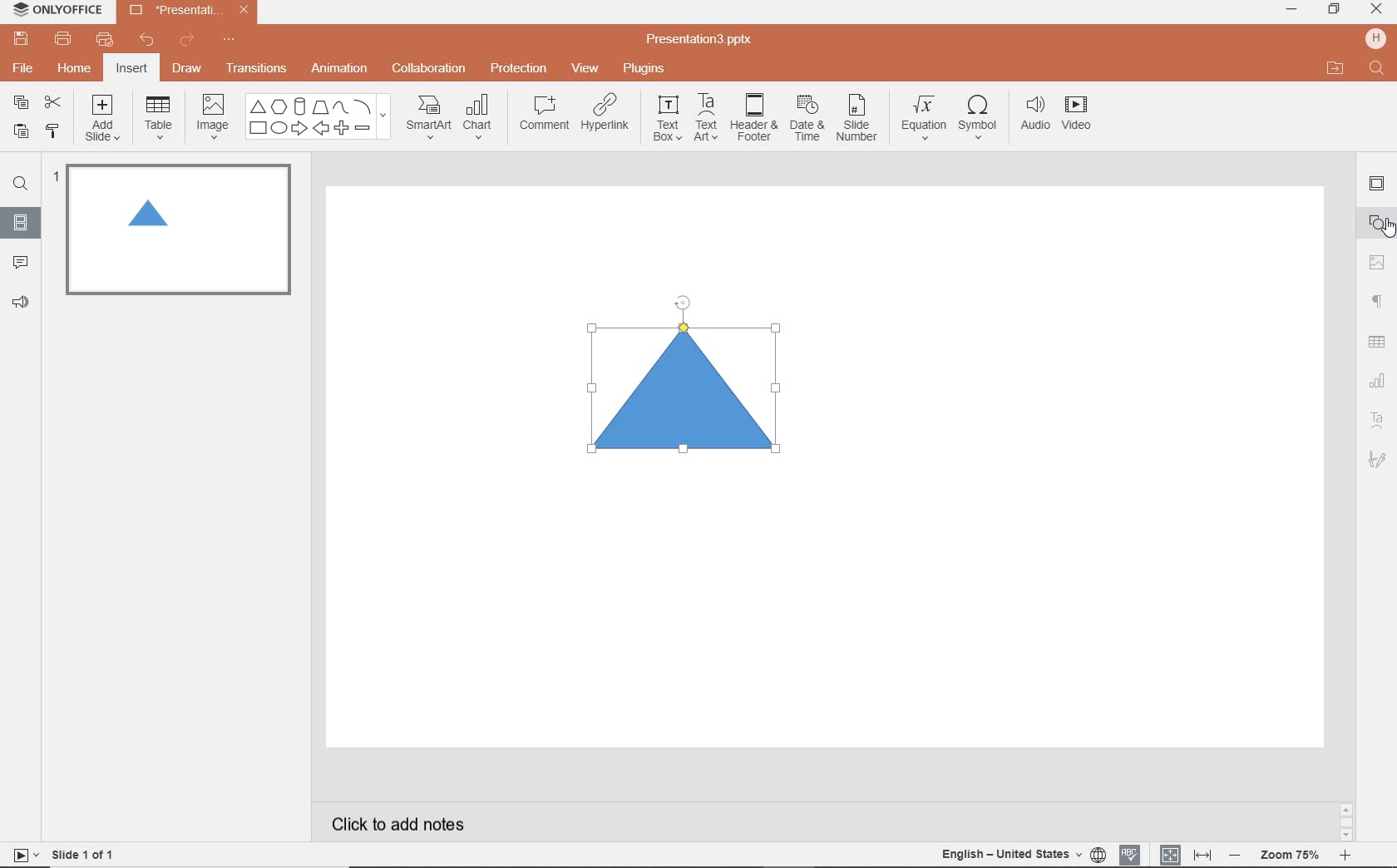  I want to click on slide 1, so click(175, 229).